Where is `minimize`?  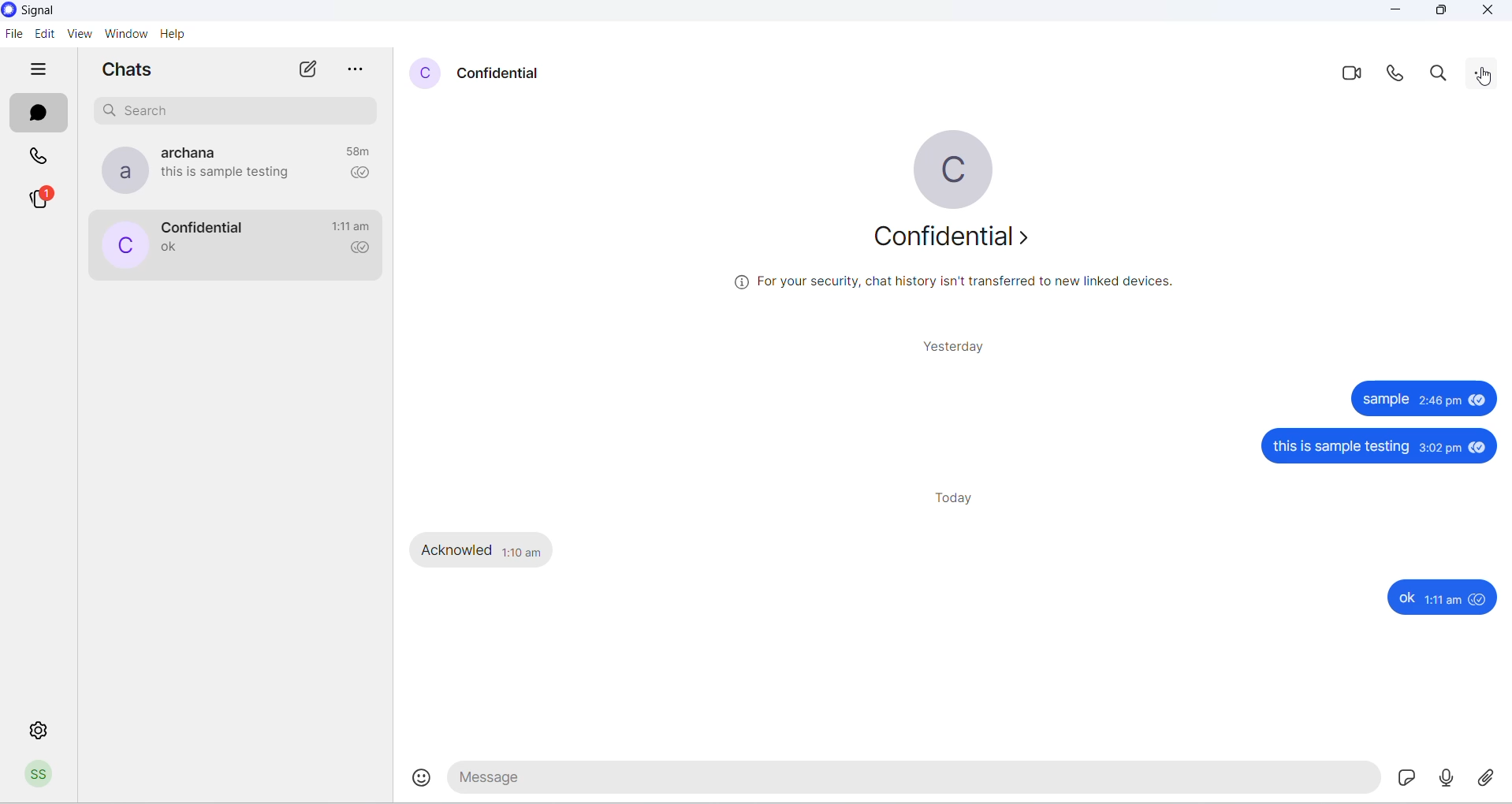
minimize is located at coordinates (1394, 13).